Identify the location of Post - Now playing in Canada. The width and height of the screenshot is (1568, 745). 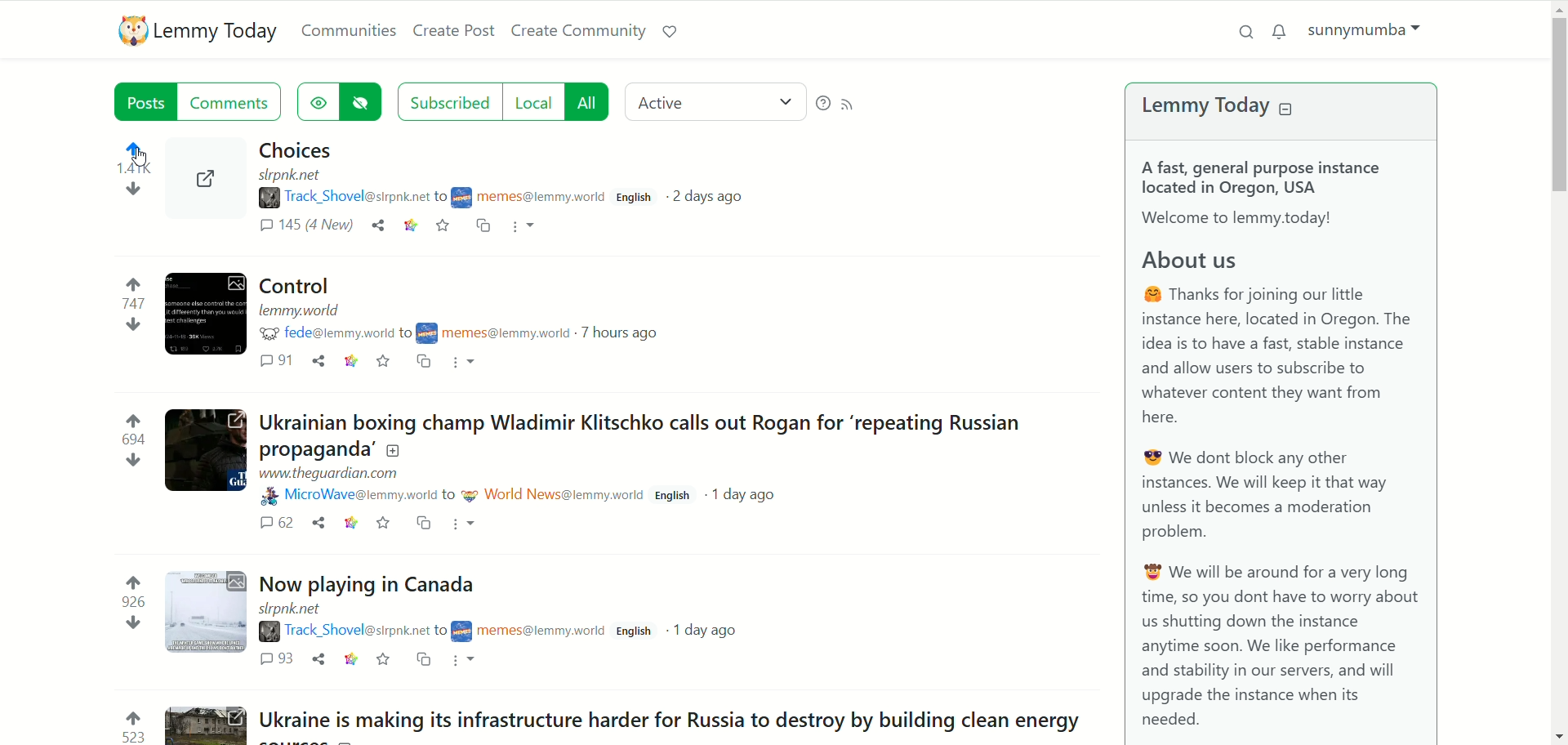
(377, 587).